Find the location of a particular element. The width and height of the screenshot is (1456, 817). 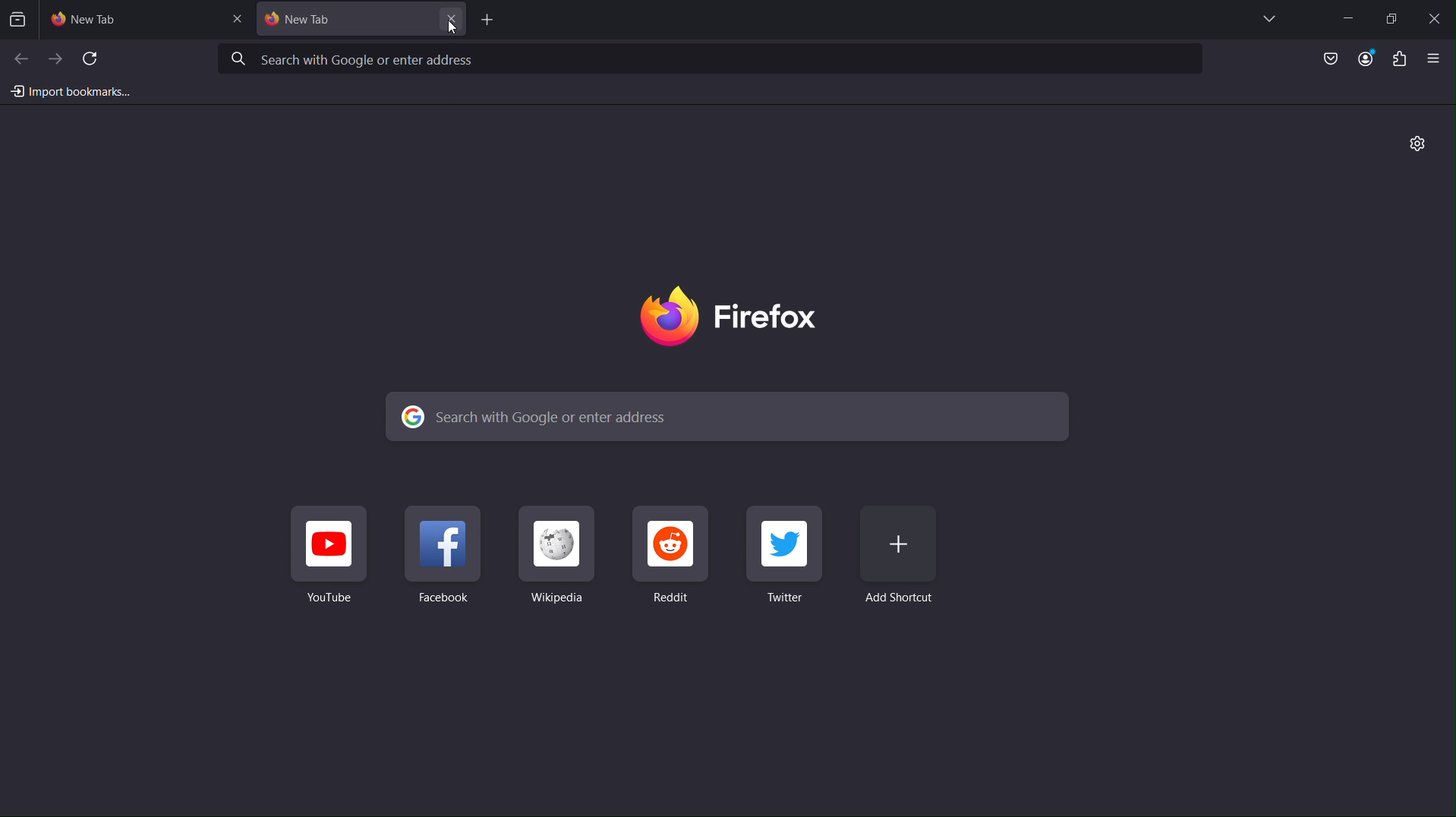

View Tabs is located at coordinates (1269, 18).